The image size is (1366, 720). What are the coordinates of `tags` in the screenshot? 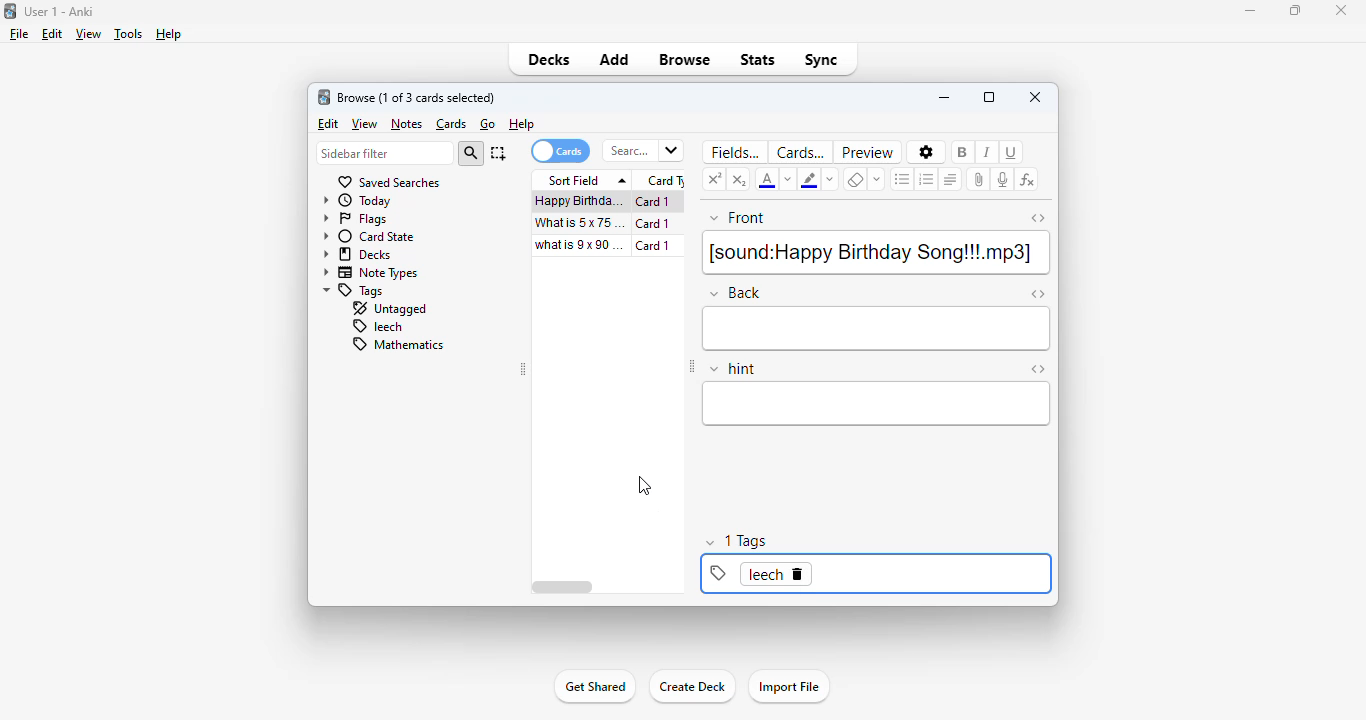 It's located at (354, 291).